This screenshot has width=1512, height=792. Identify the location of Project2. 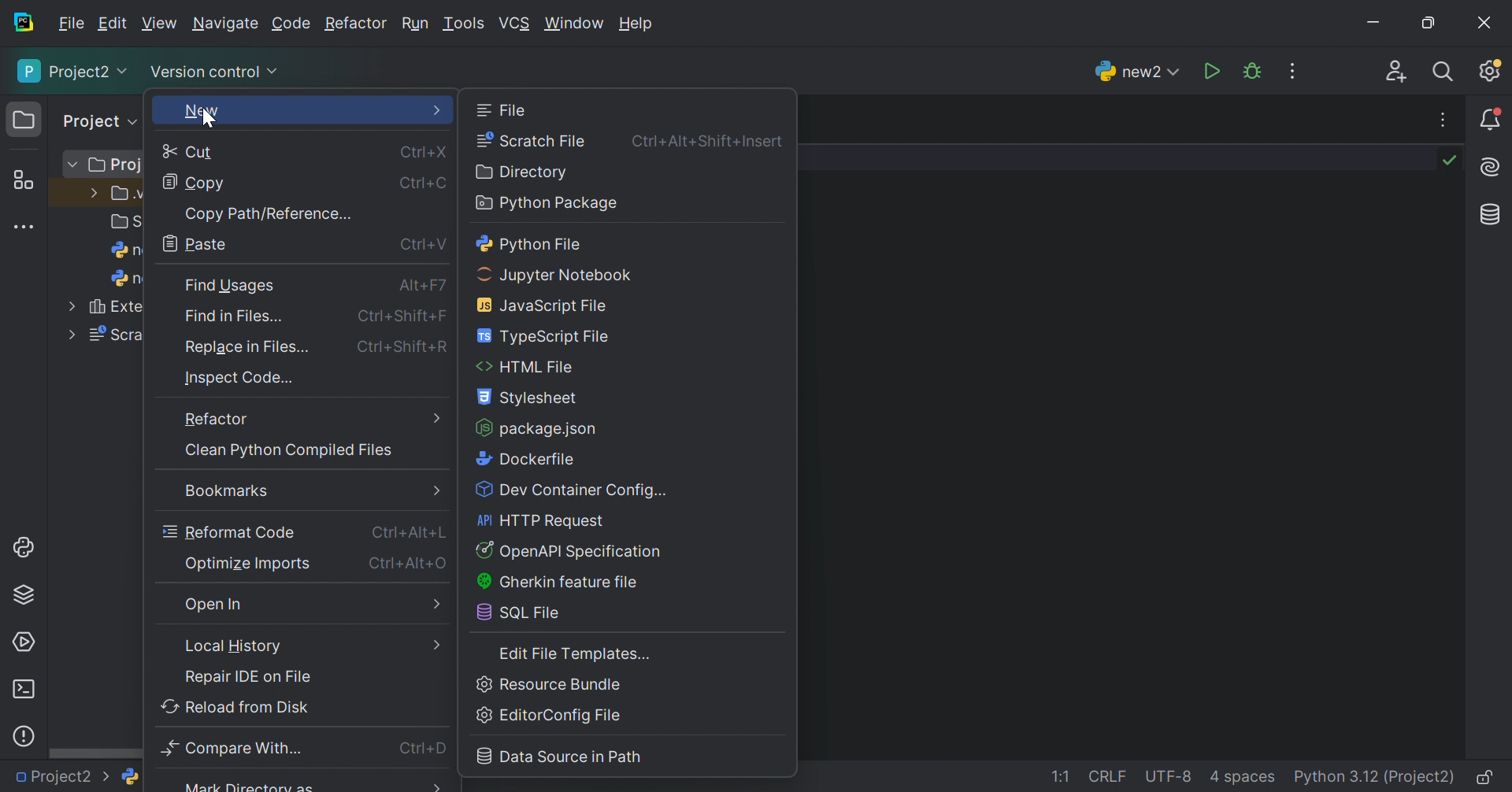
(74, 72).